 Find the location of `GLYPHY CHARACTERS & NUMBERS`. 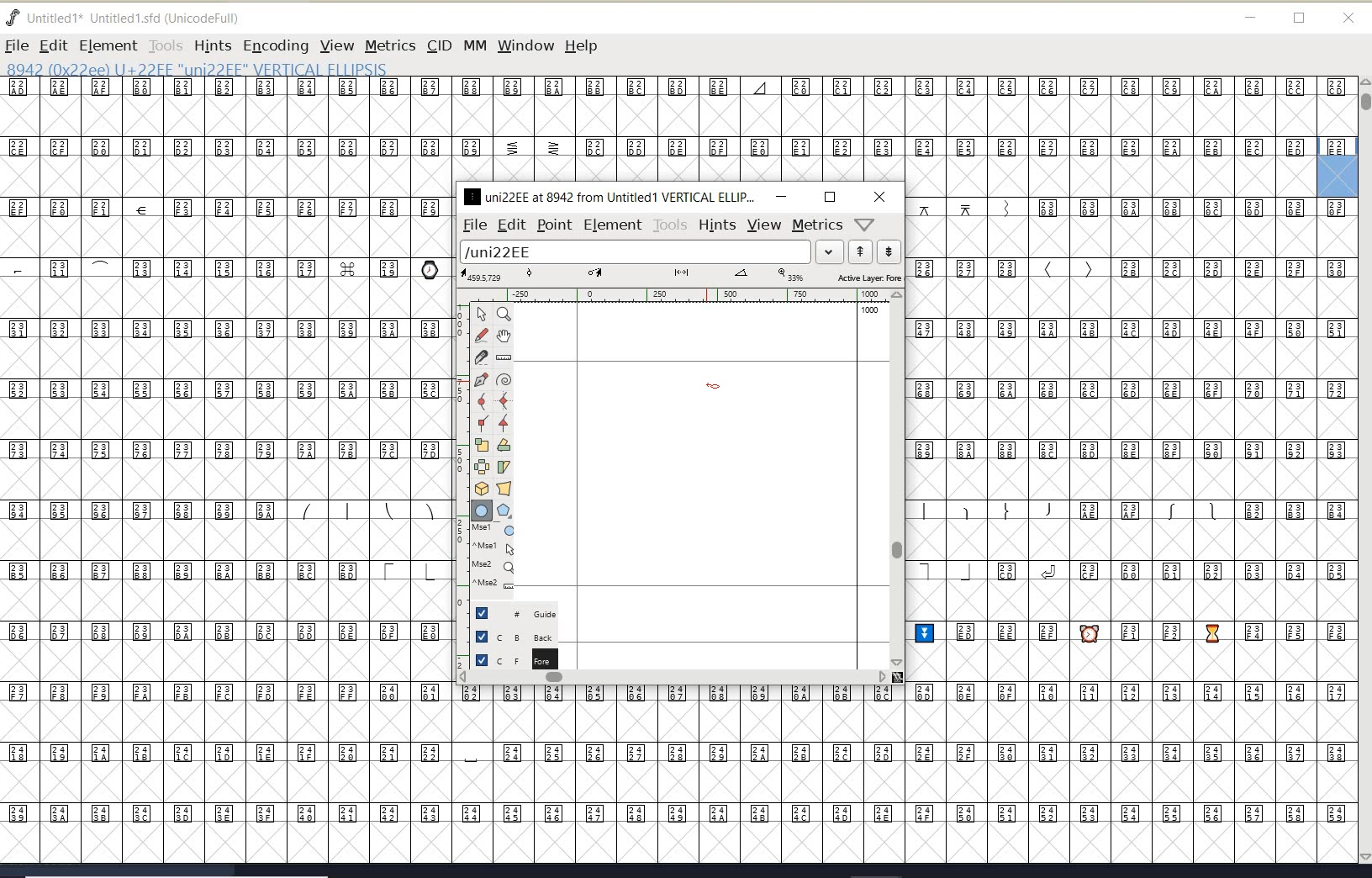

GLYPHY CHARACTERS & NUMBERS is located at coordinates (223, 431).